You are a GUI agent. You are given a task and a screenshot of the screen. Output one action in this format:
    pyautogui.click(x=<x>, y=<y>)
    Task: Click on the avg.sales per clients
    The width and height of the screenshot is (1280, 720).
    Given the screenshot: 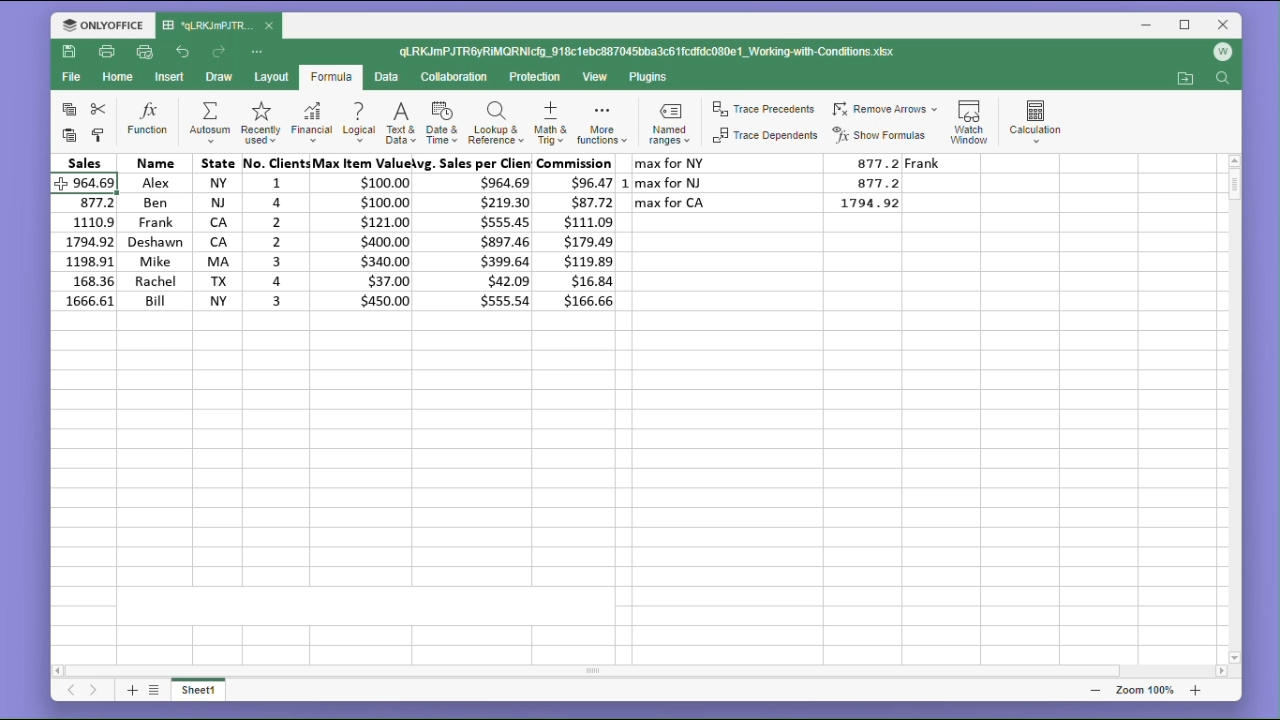 What is the action you would take?
    pyautogui.click(x=477, y=238)
    